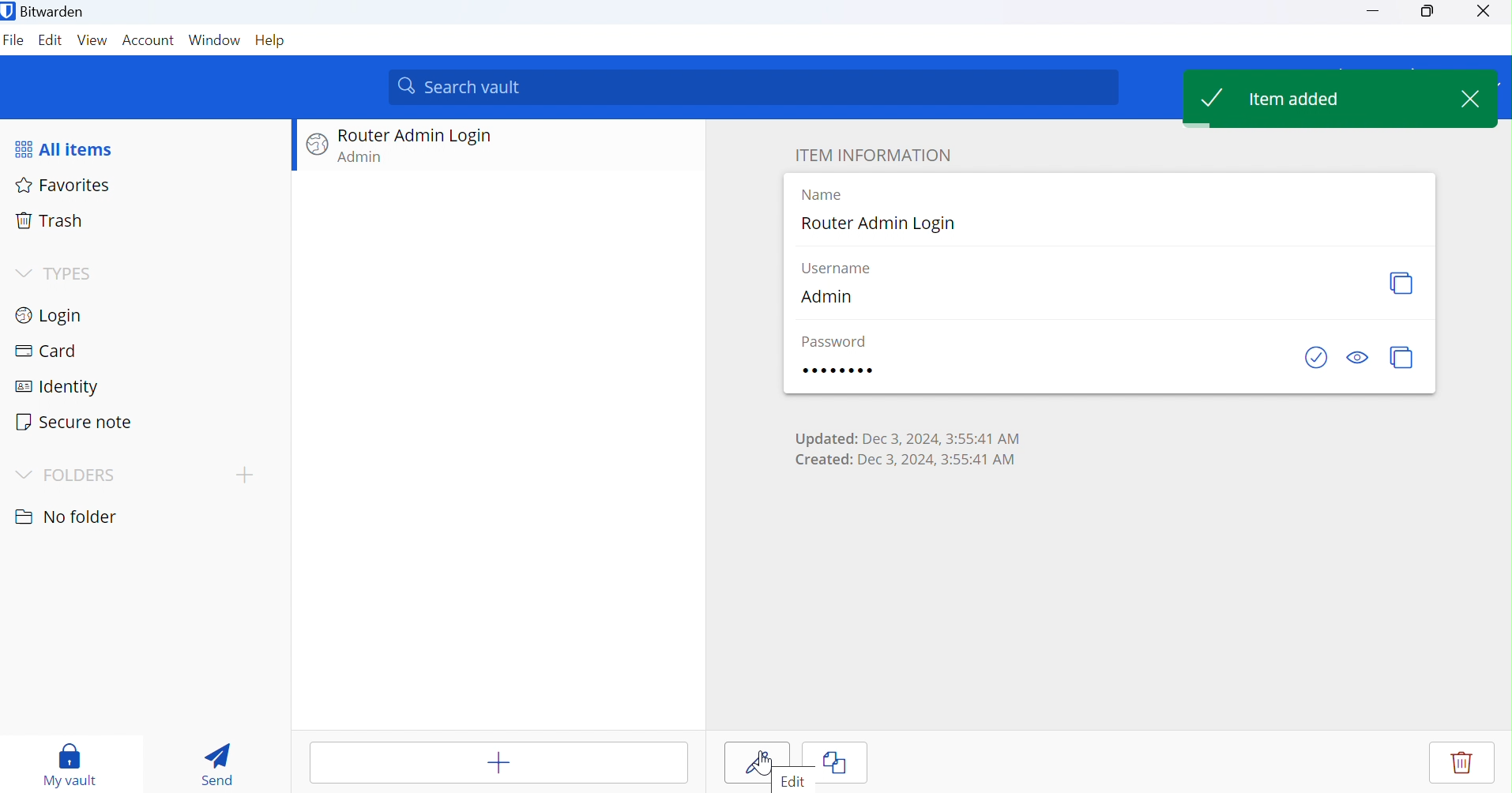 The width and height of the screenshot is (1512, 793). I want to click on Close, so click(1474, 97).